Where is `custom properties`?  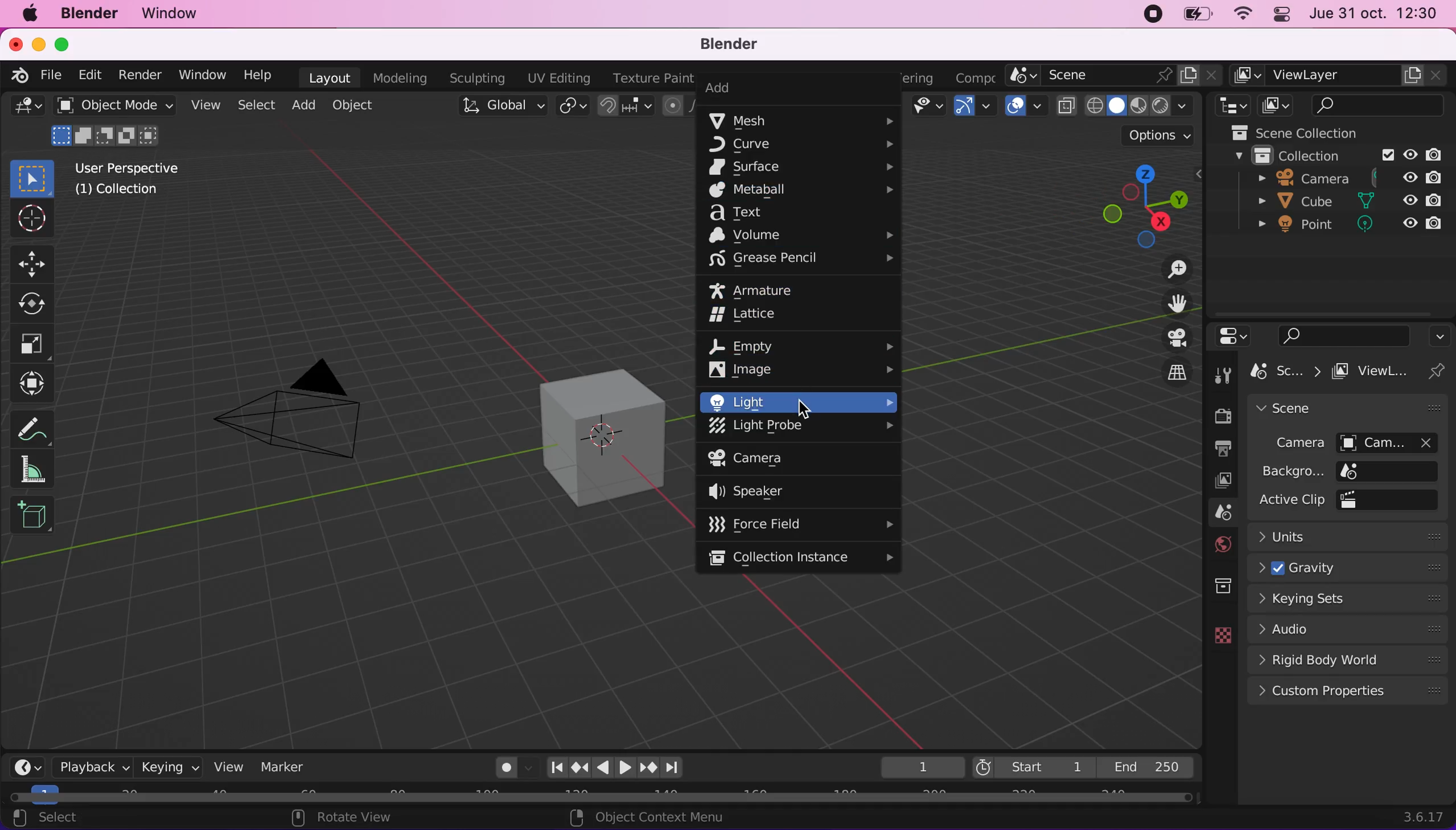 custom properties is located at coordinates (1348, 693).